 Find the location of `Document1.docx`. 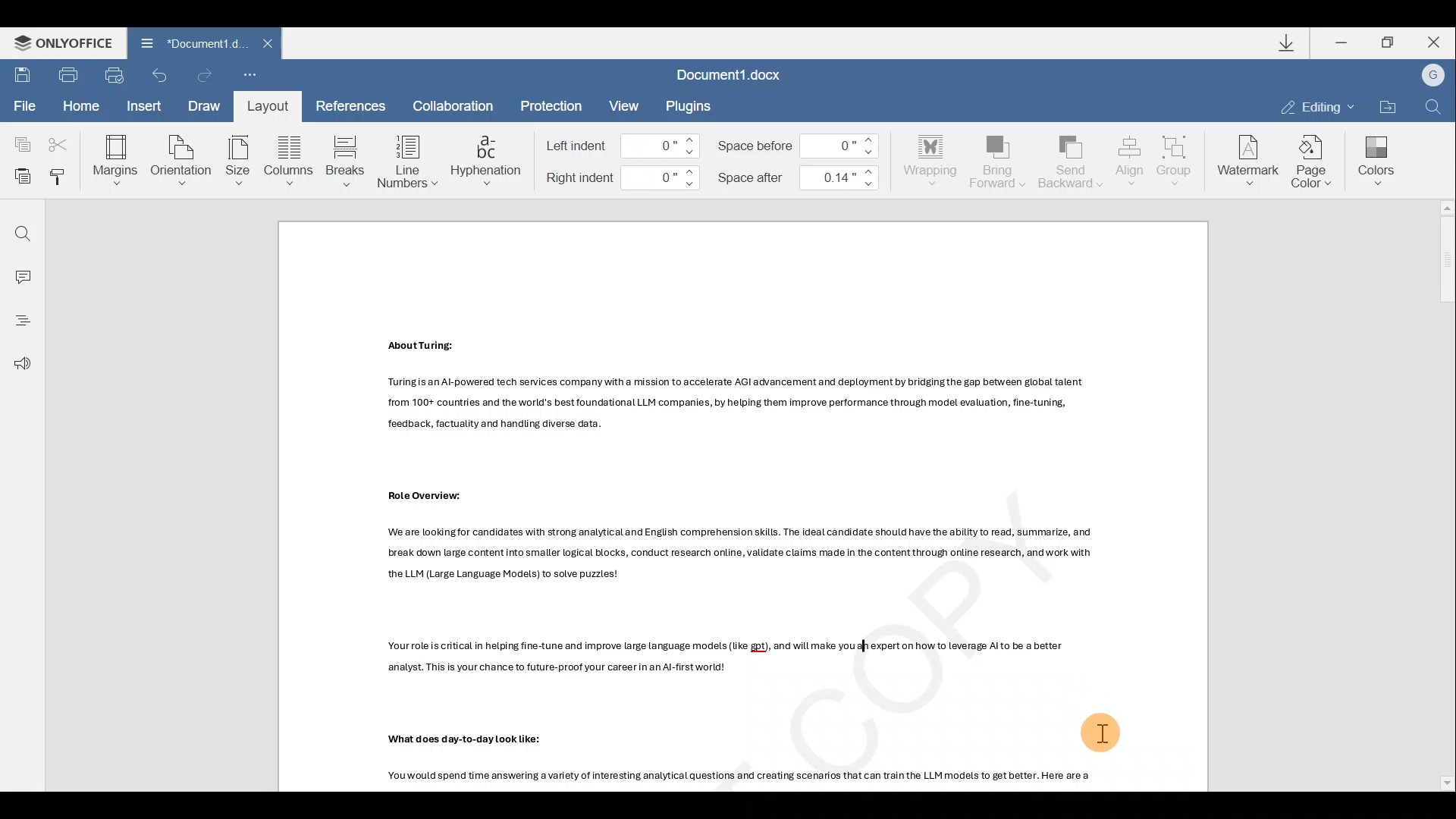

Document1.docx is located at coordinates (733, 74).